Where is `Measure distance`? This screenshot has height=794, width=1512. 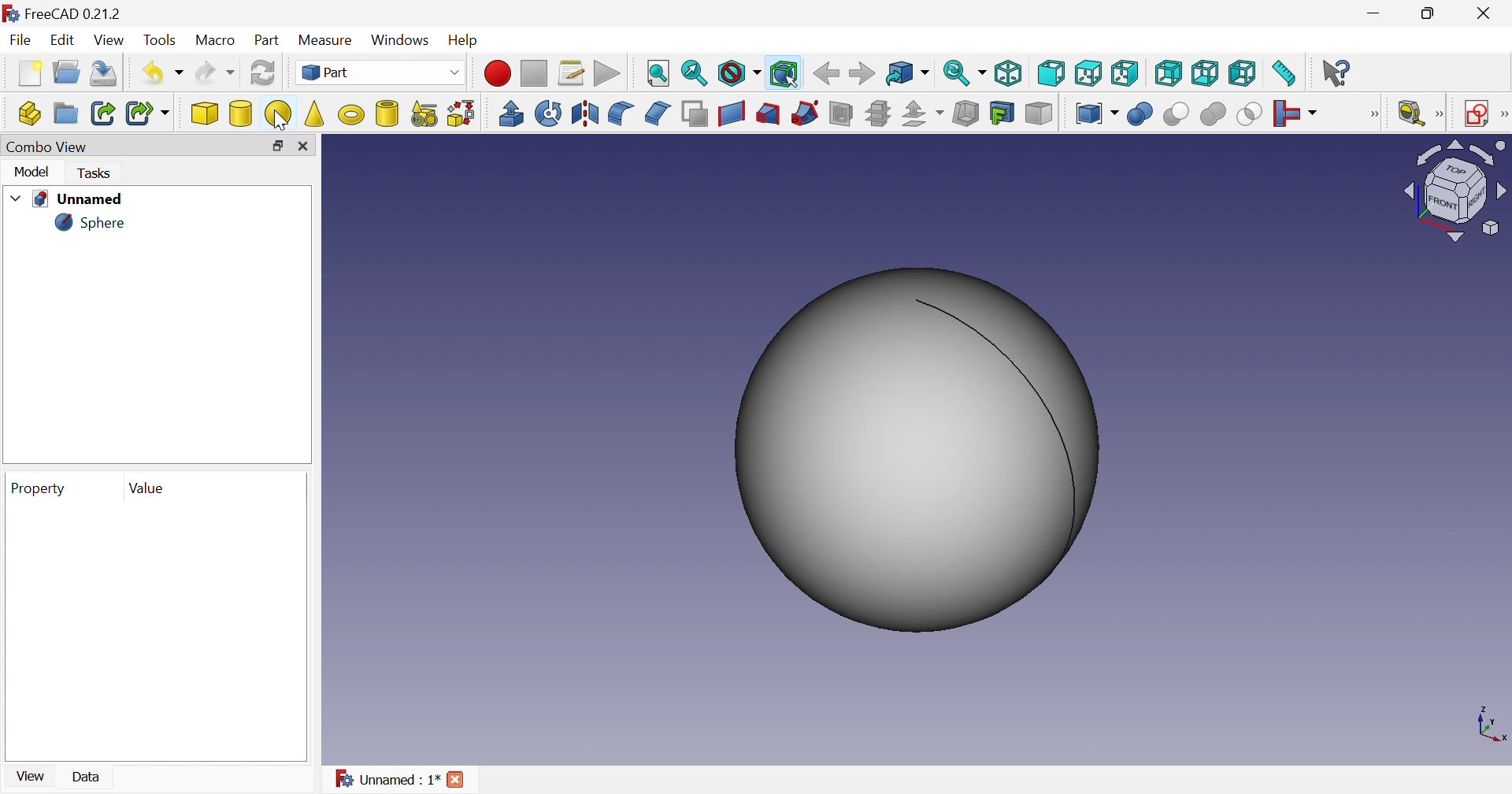 Measure distance is located at coordinates (1285, 73).